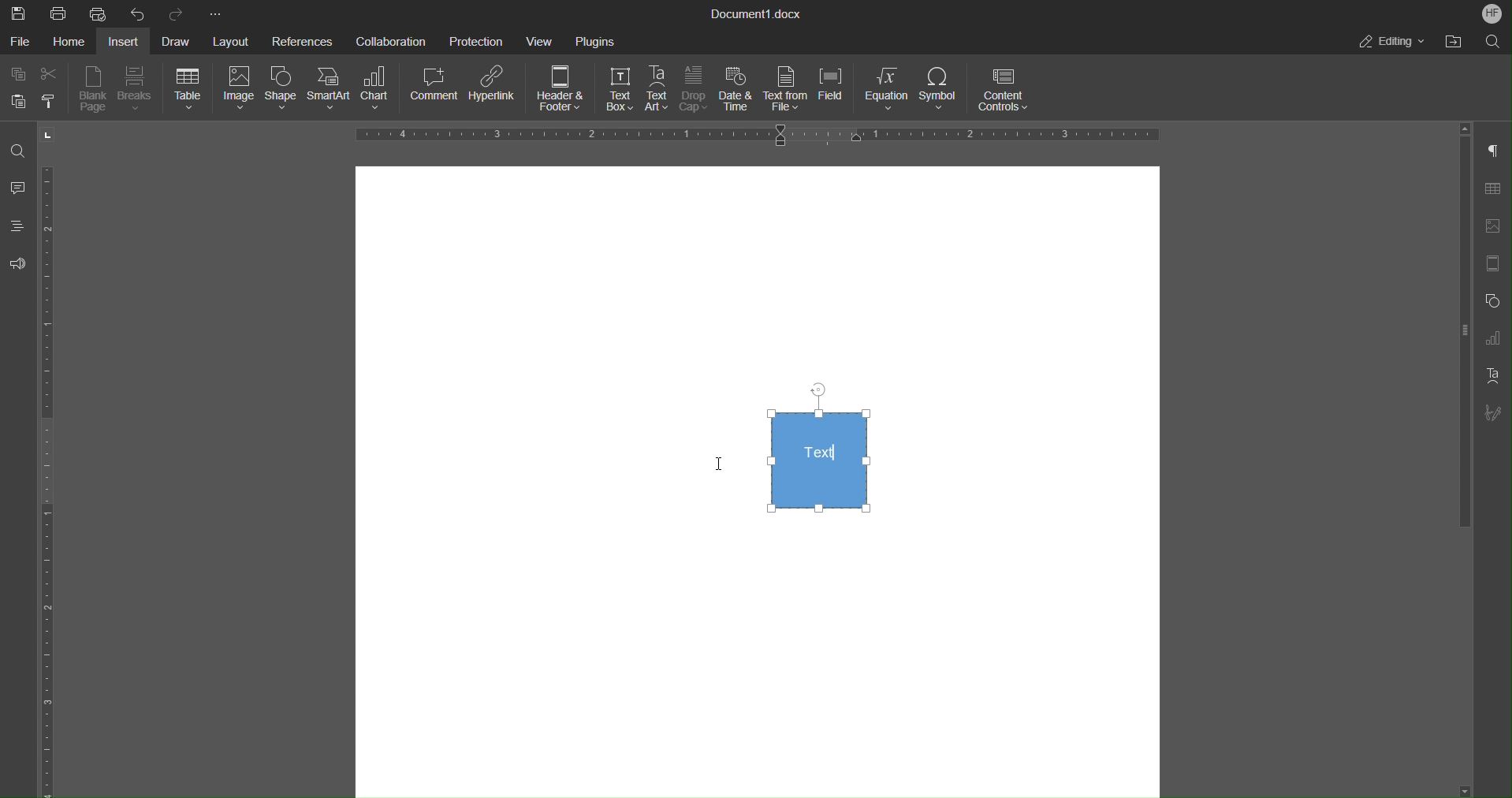 This screenshot has width=1512, height=798. Describe the element at coordinates (738, 91) in the screenshot. I see `Date & Time` at that location.